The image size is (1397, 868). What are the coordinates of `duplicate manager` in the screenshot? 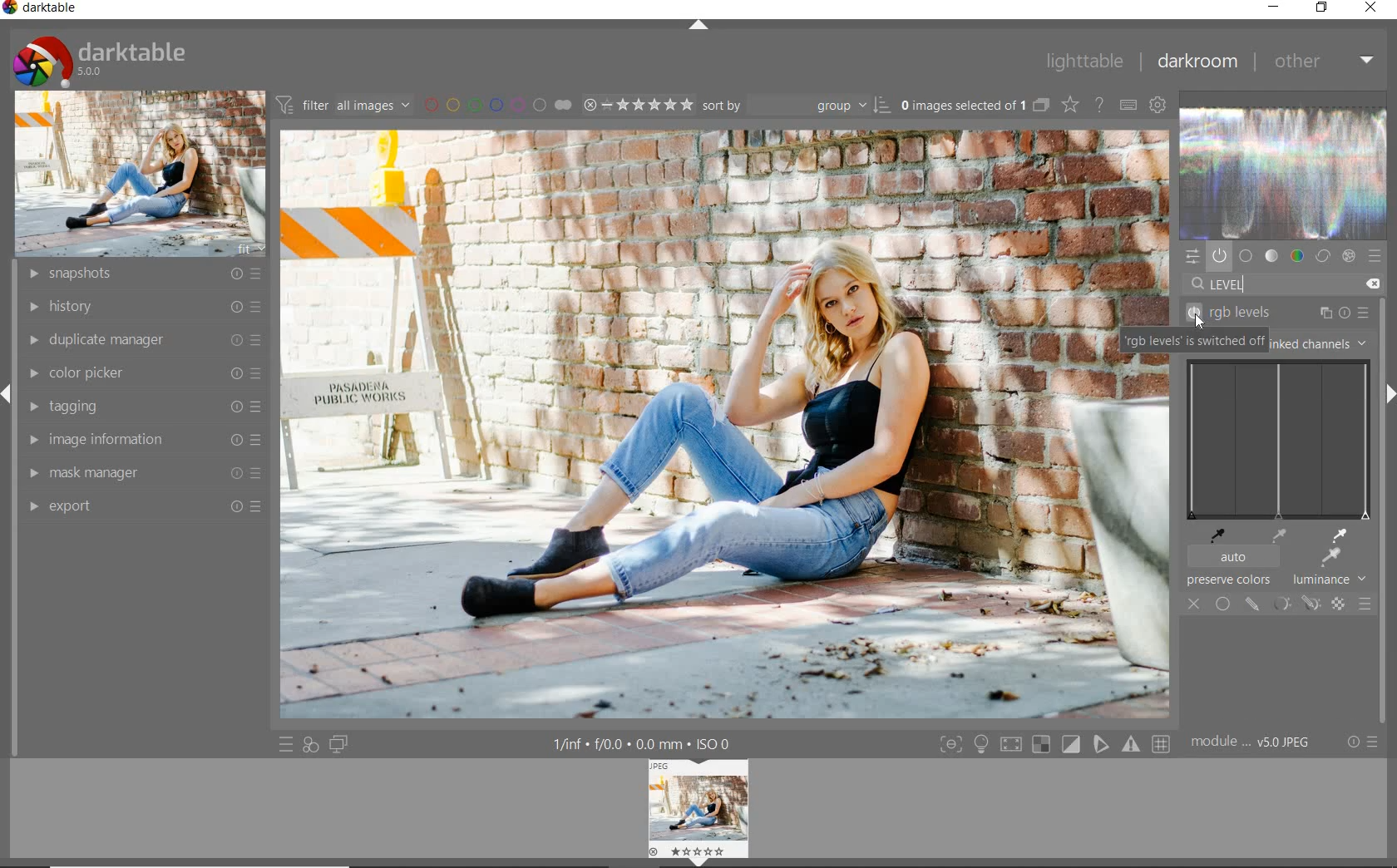 It's located at (140, 341).